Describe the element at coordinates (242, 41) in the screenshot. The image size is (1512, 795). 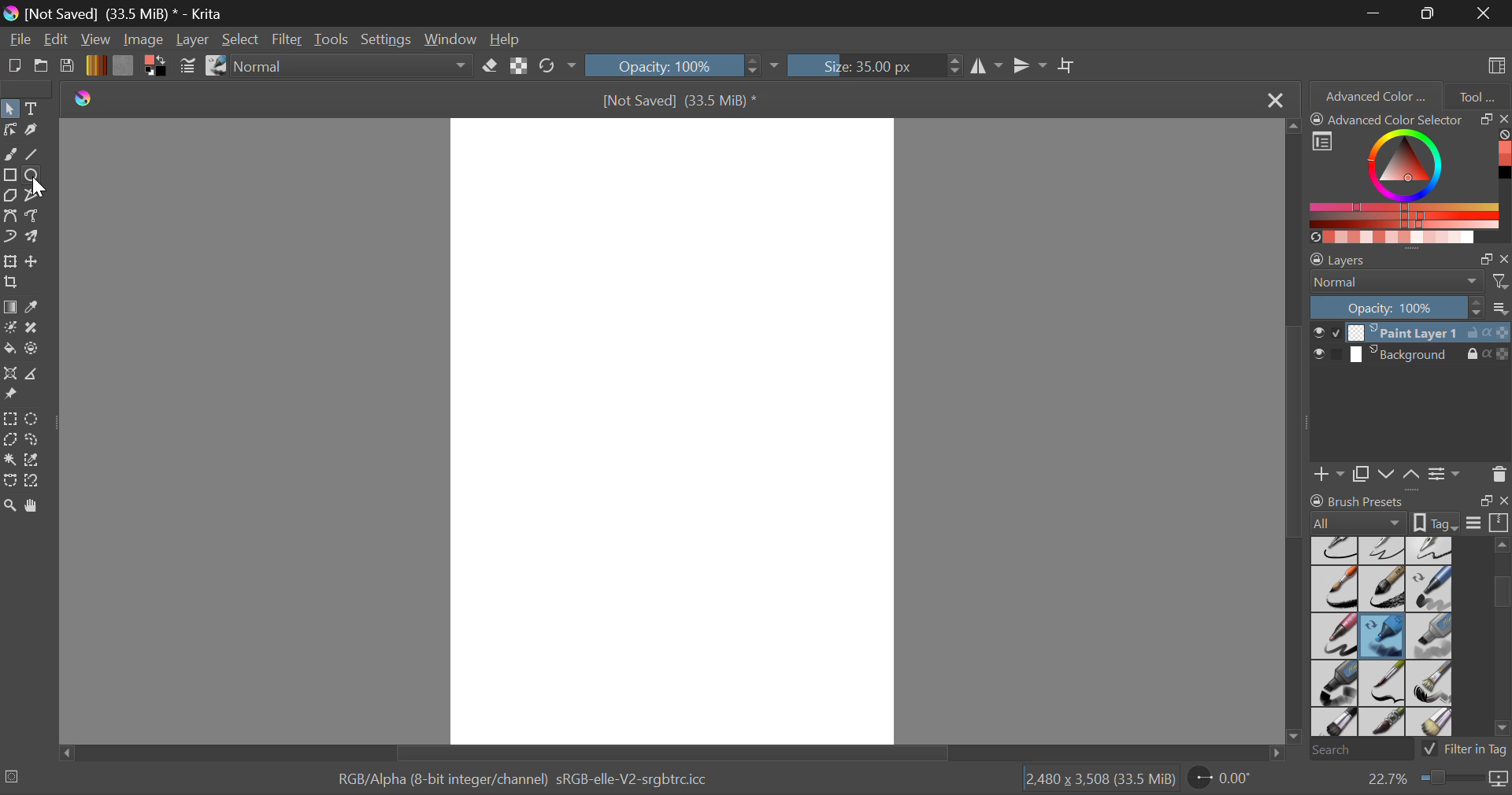
I see `Select` at that location.